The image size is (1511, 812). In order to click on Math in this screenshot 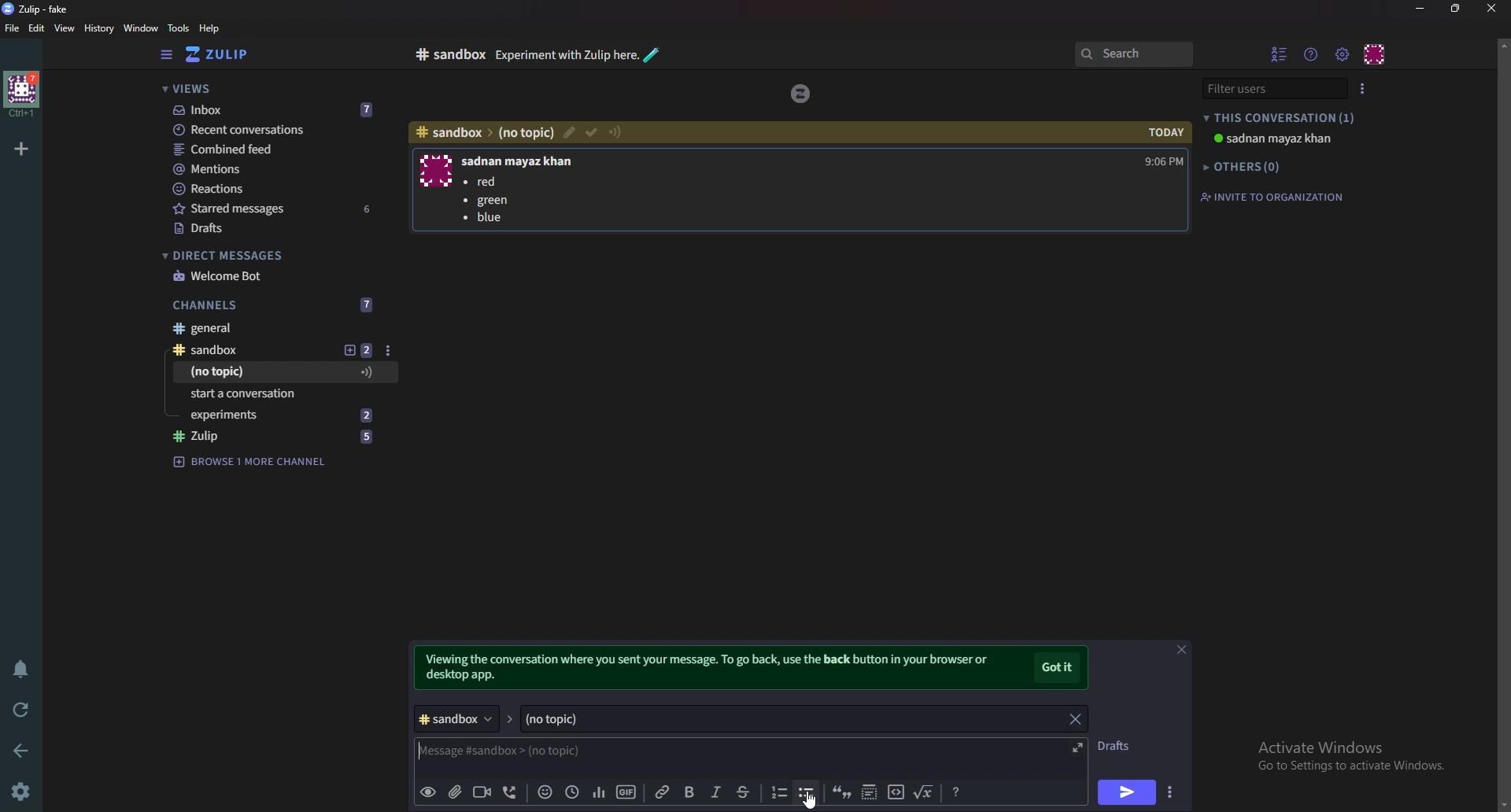, I will do `click(925, 790)`.